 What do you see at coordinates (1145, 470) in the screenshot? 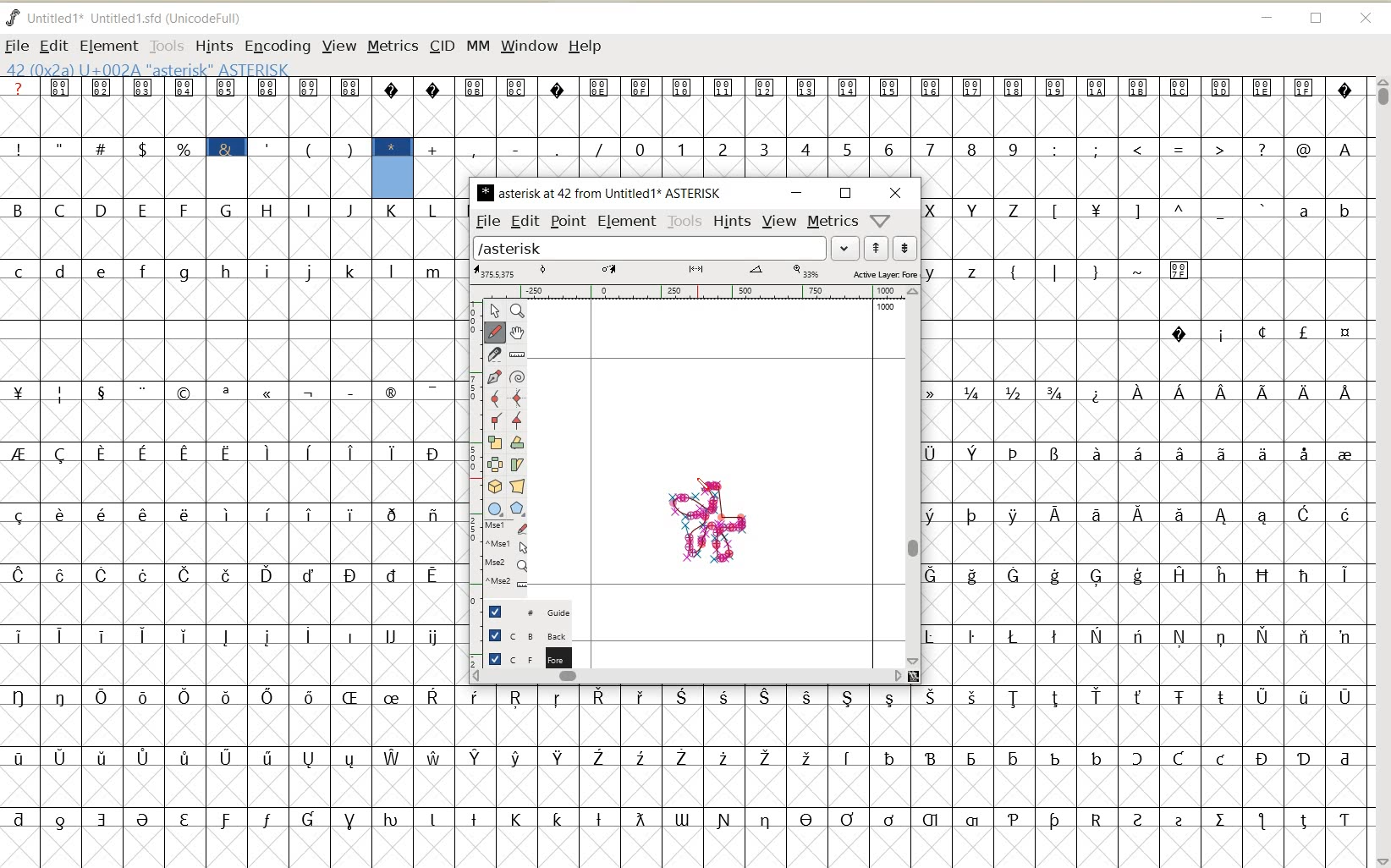
I see `GLYPHY CHARACTERS & NUMBERS` at bounding box center [1145, 470].